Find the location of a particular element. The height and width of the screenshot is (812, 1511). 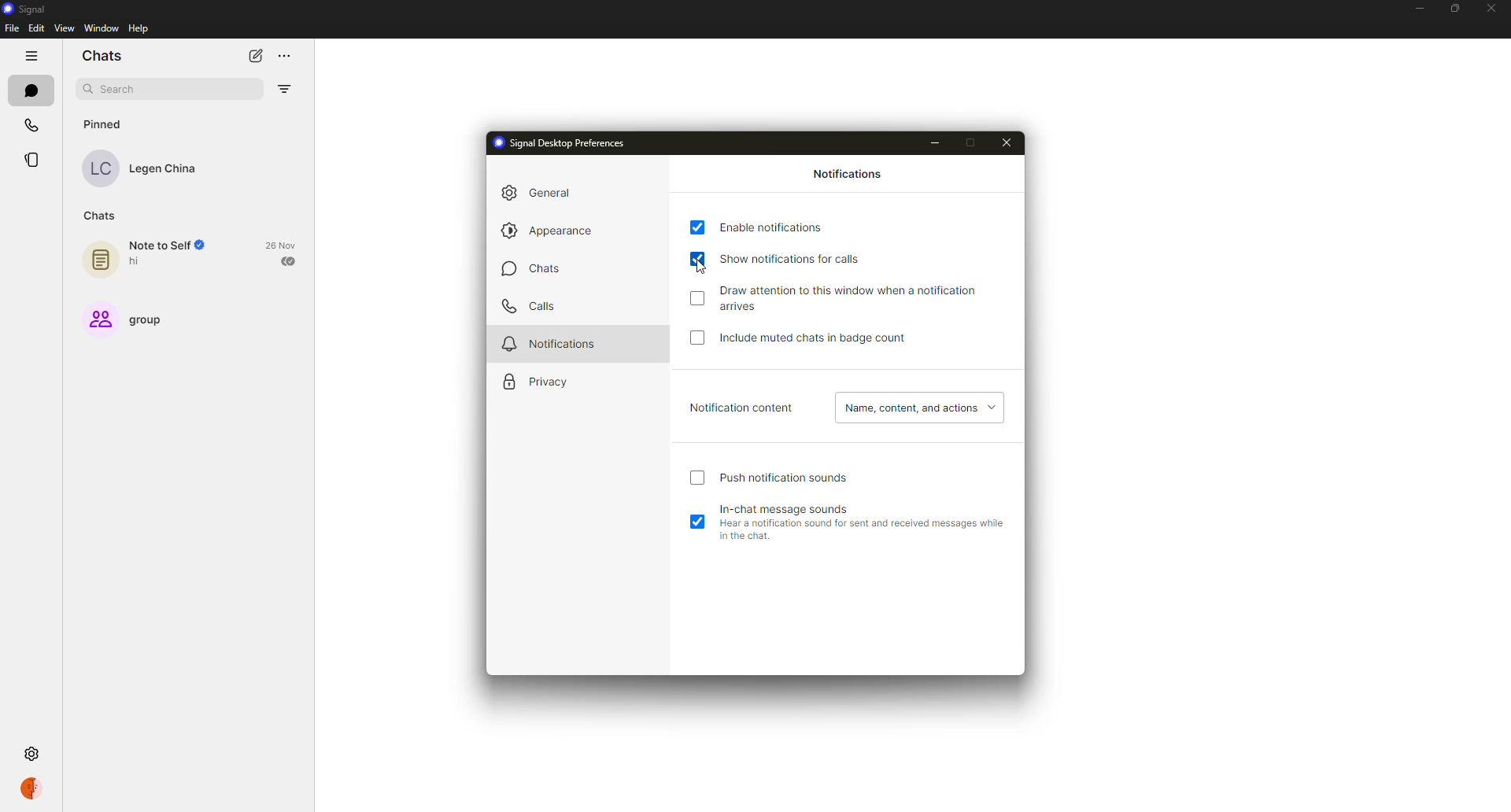

show notifications for calls is located at coordinates (800, 256).